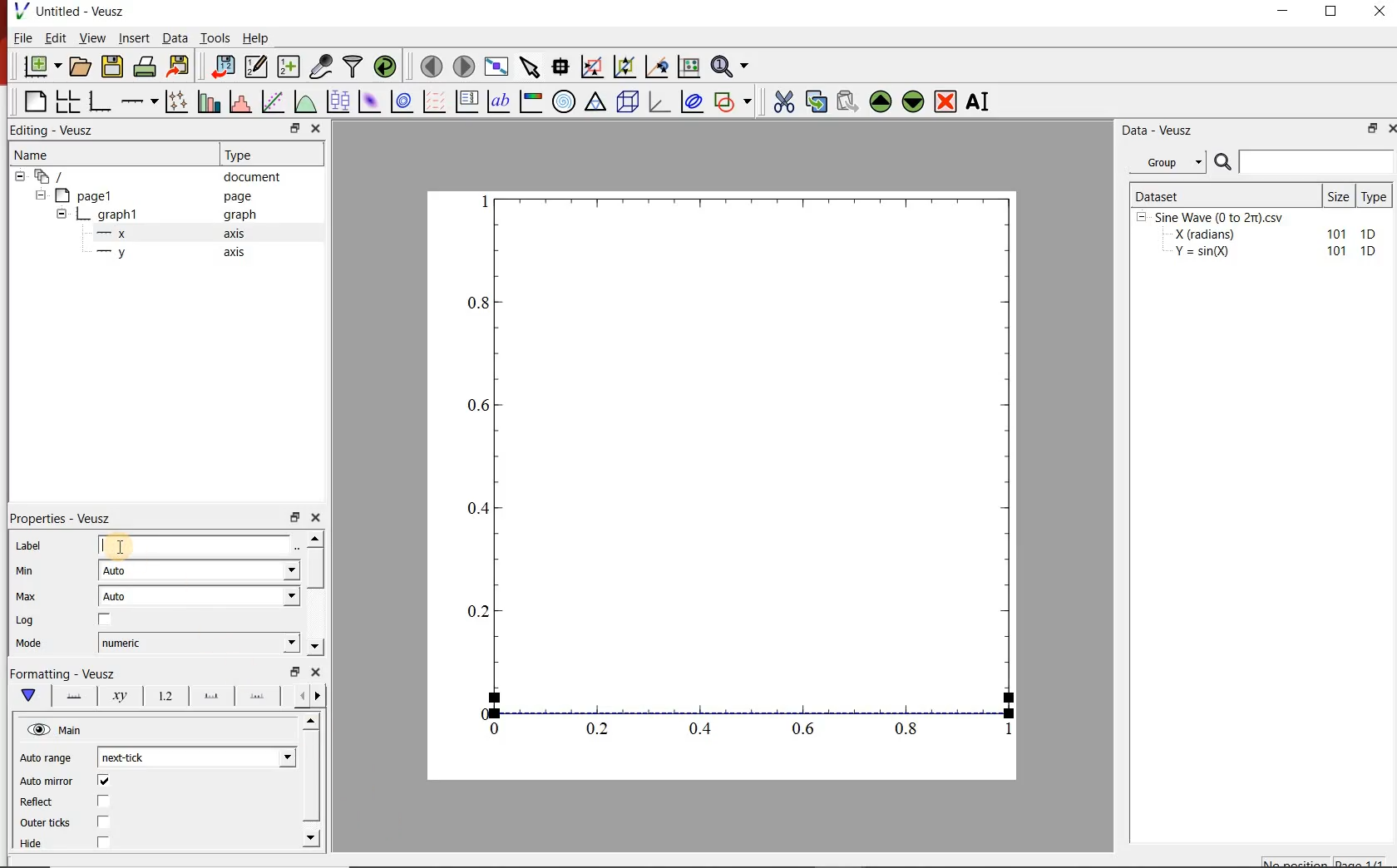  I want to click on click to zoom out, so click(627, 65).